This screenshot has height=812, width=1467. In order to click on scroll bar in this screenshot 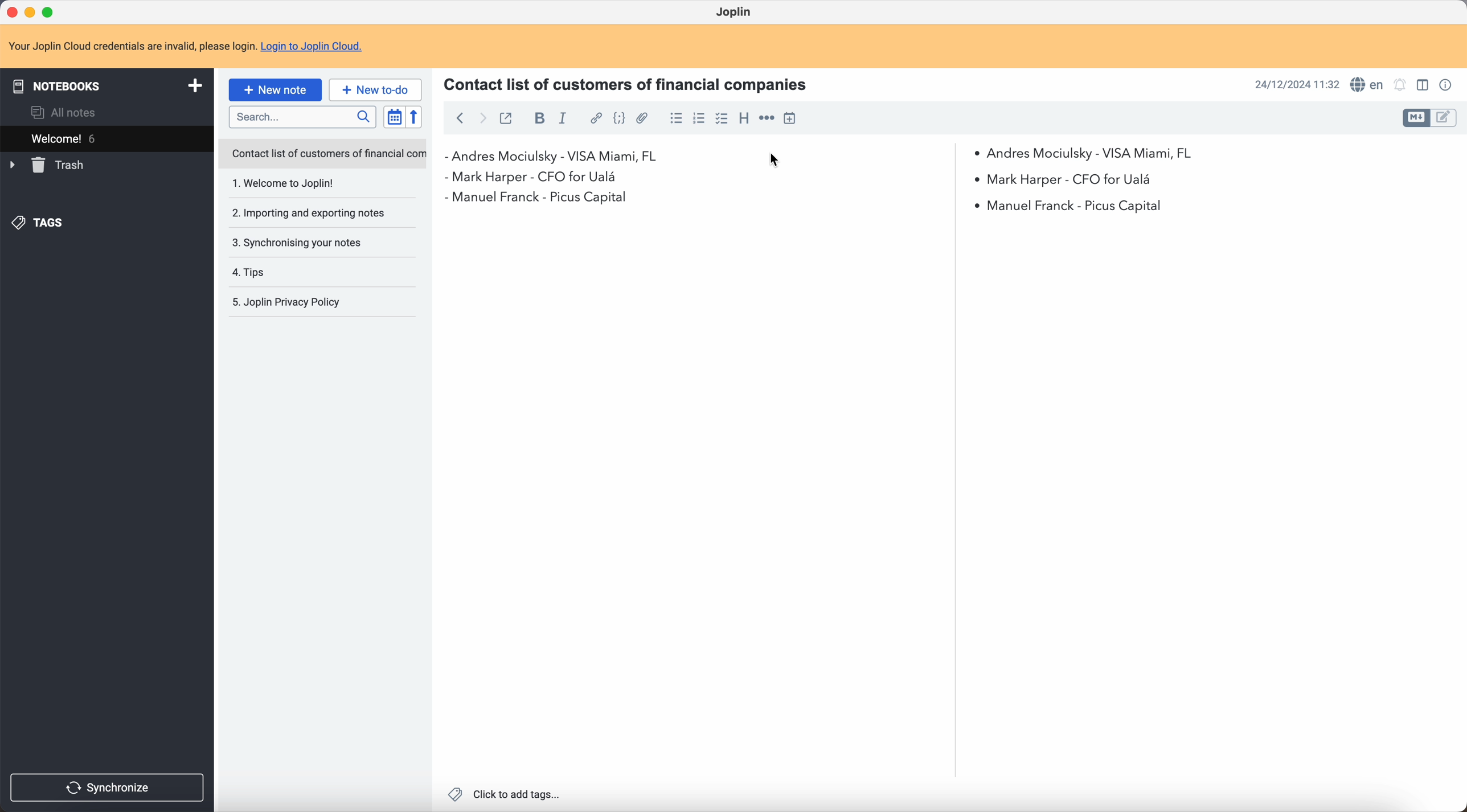, I will do `click(949, 269)`.